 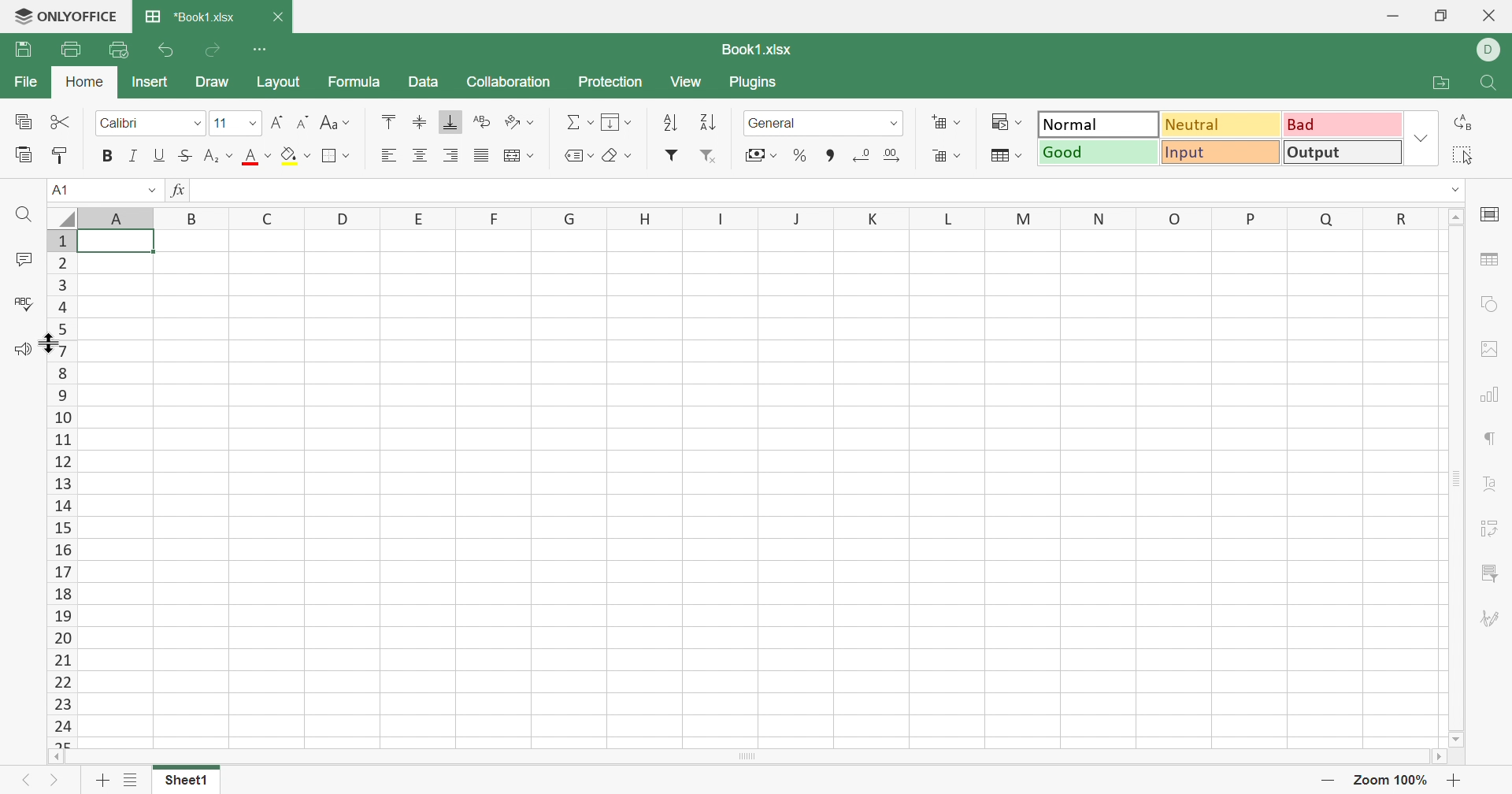 What do you see at coordinates (1456, 189) in the screenshot?
I see `Drop Down` at bounding box center [1456, 189].